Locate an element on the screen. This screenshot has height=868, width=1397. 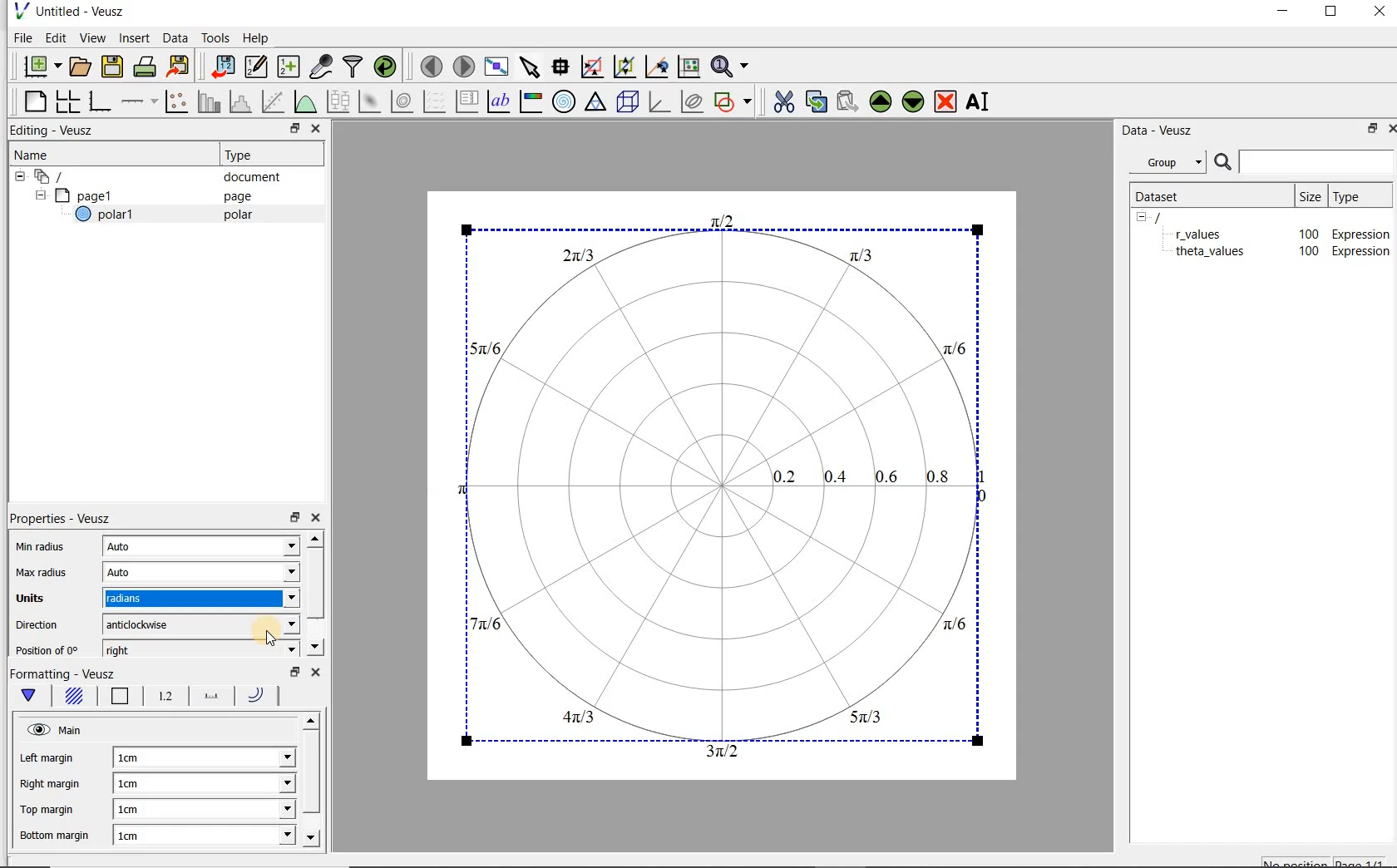
filter data is located at coordinates (353, 68).